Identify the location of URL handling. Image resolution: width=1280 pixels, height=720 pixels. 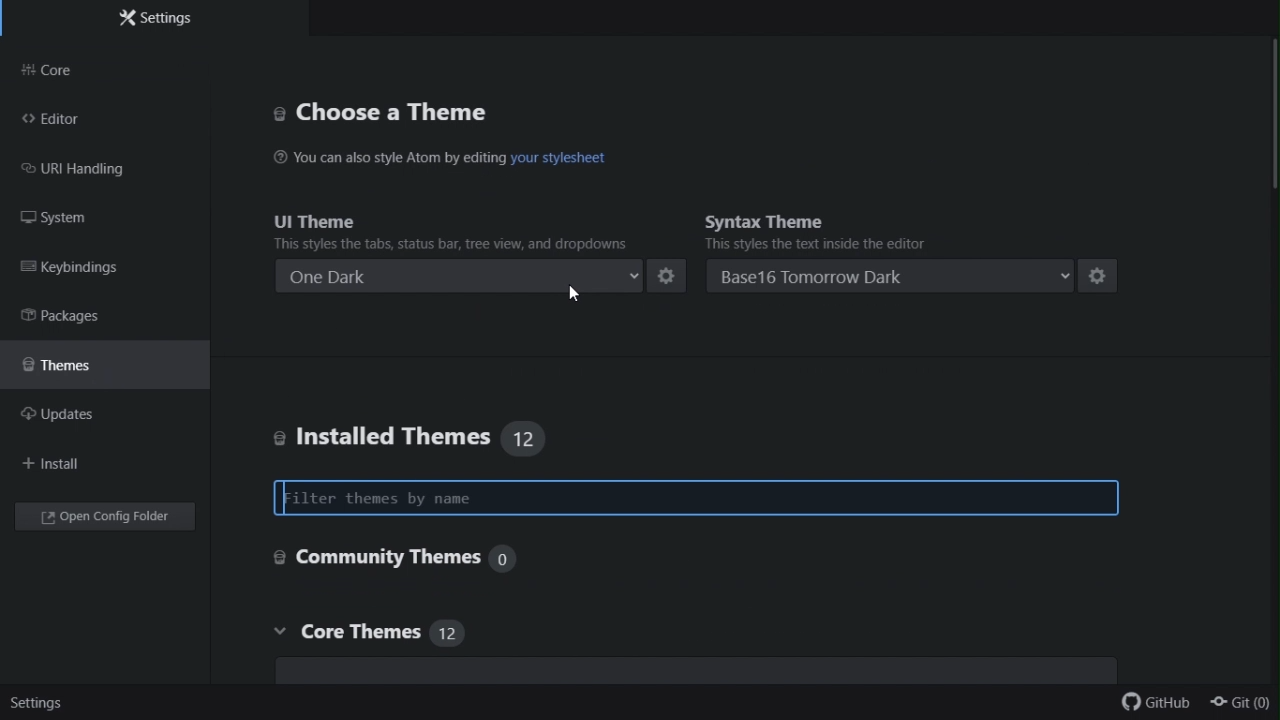
(94, 171).